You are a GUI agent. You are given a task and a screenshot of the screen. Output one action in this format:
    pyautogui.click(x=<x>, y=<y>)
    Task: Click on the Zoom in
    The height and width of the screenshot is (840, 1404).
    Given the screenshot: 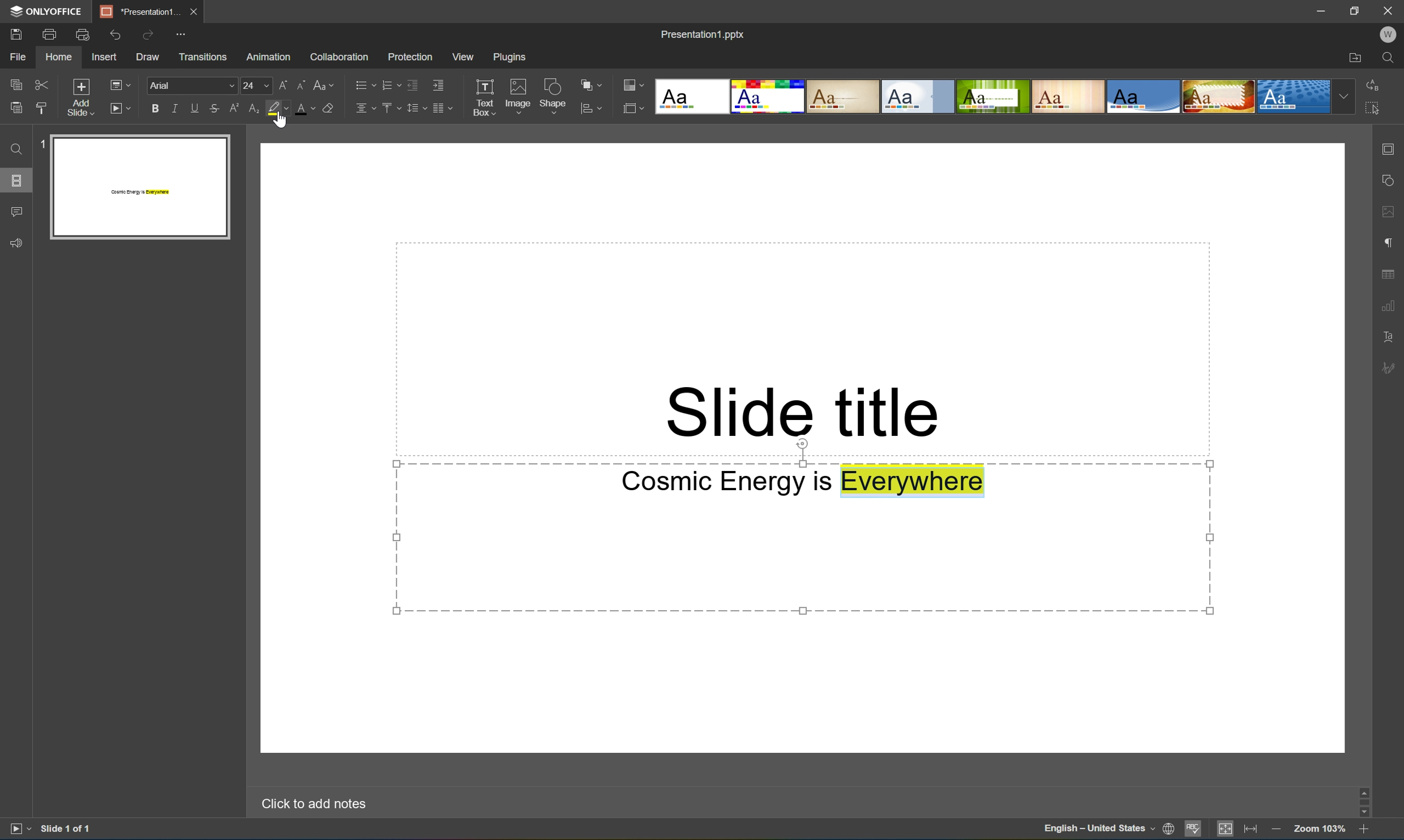 What is the action you would take?
    pyautogui.click(x=1364, y=828)
    